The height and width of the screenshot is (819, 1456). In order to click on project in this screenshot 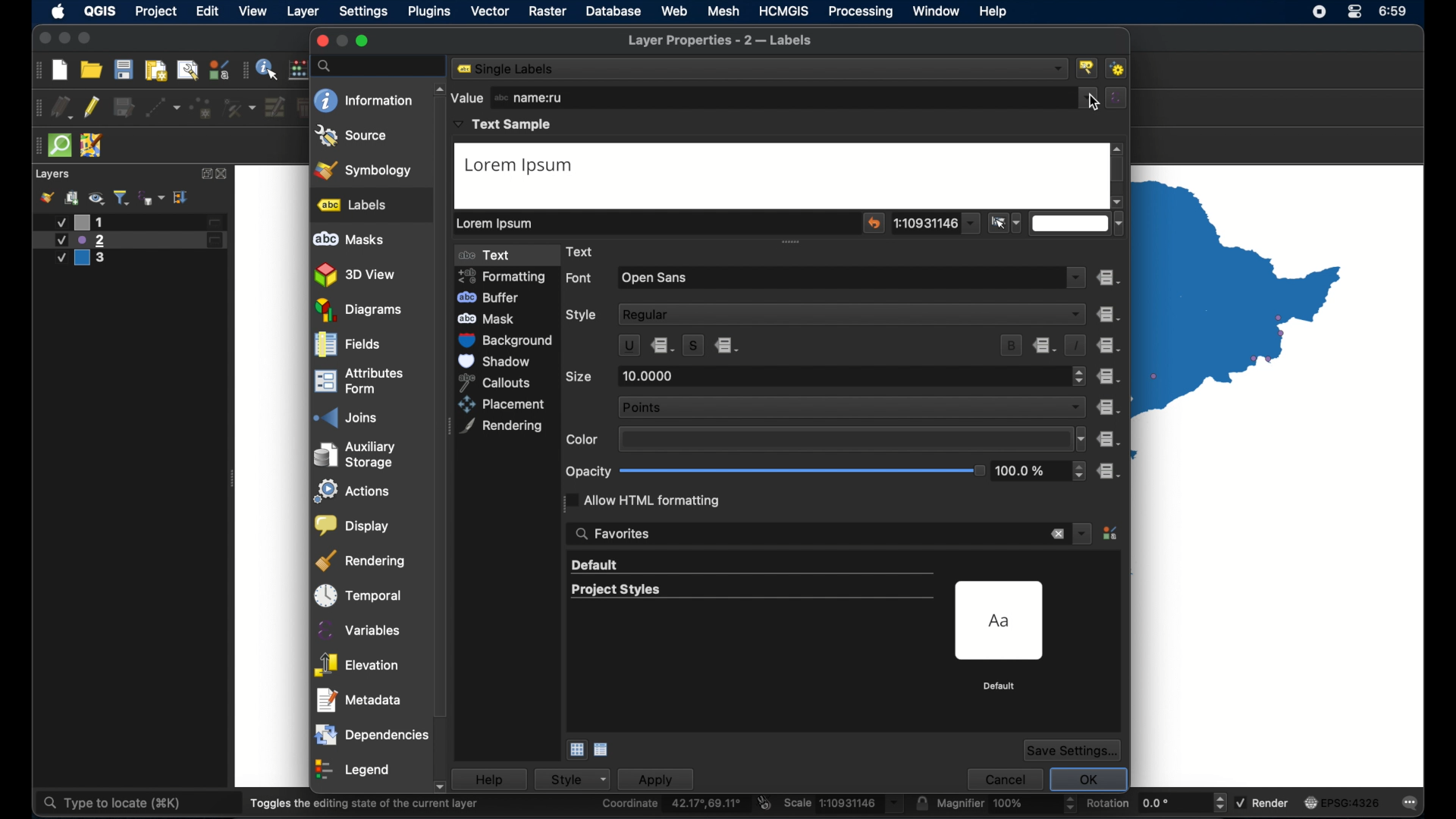, I will do `click(155, 11)`.